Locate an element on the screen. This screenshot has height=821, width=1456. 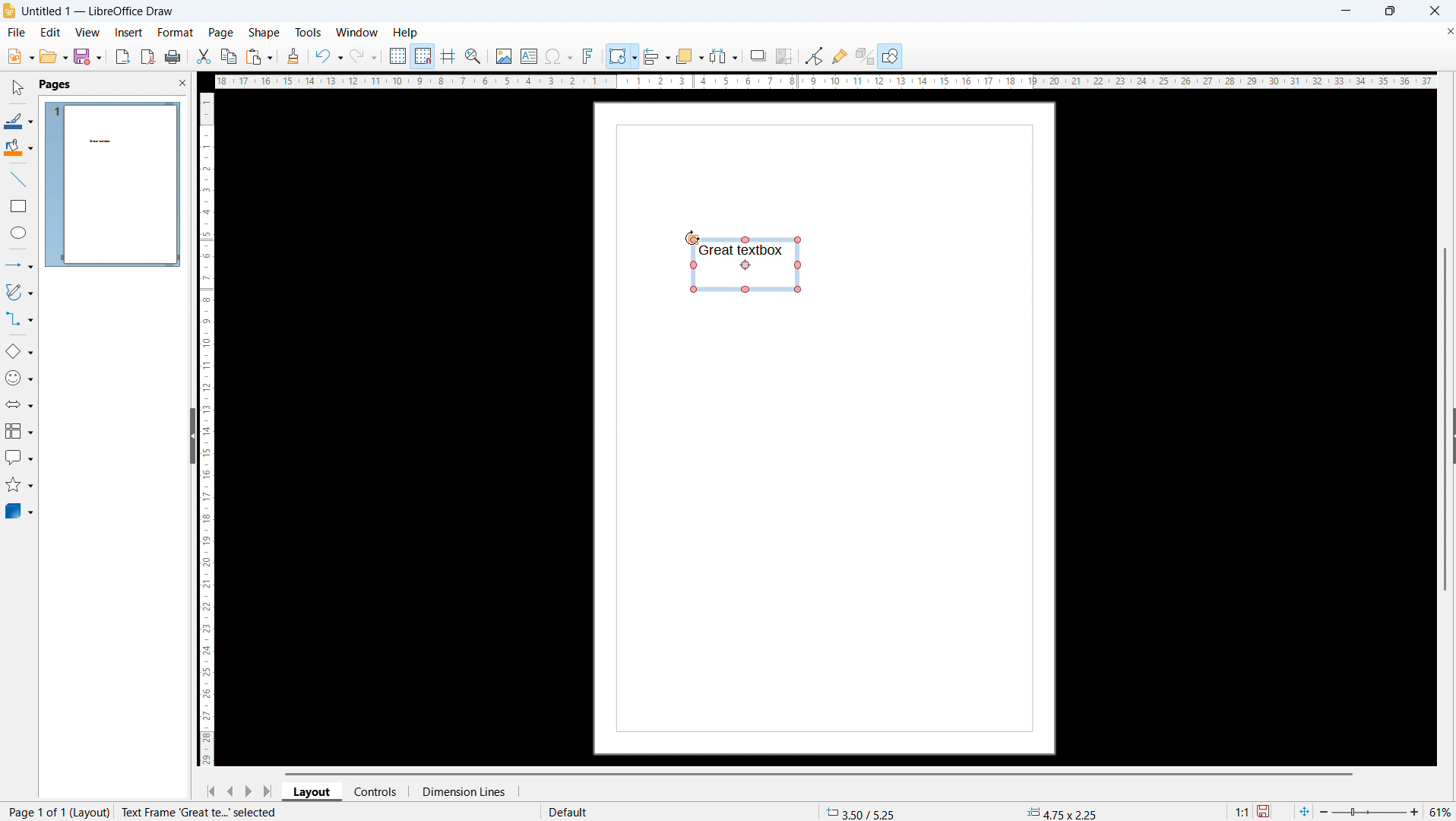
file is located at coordinates (19, 57).